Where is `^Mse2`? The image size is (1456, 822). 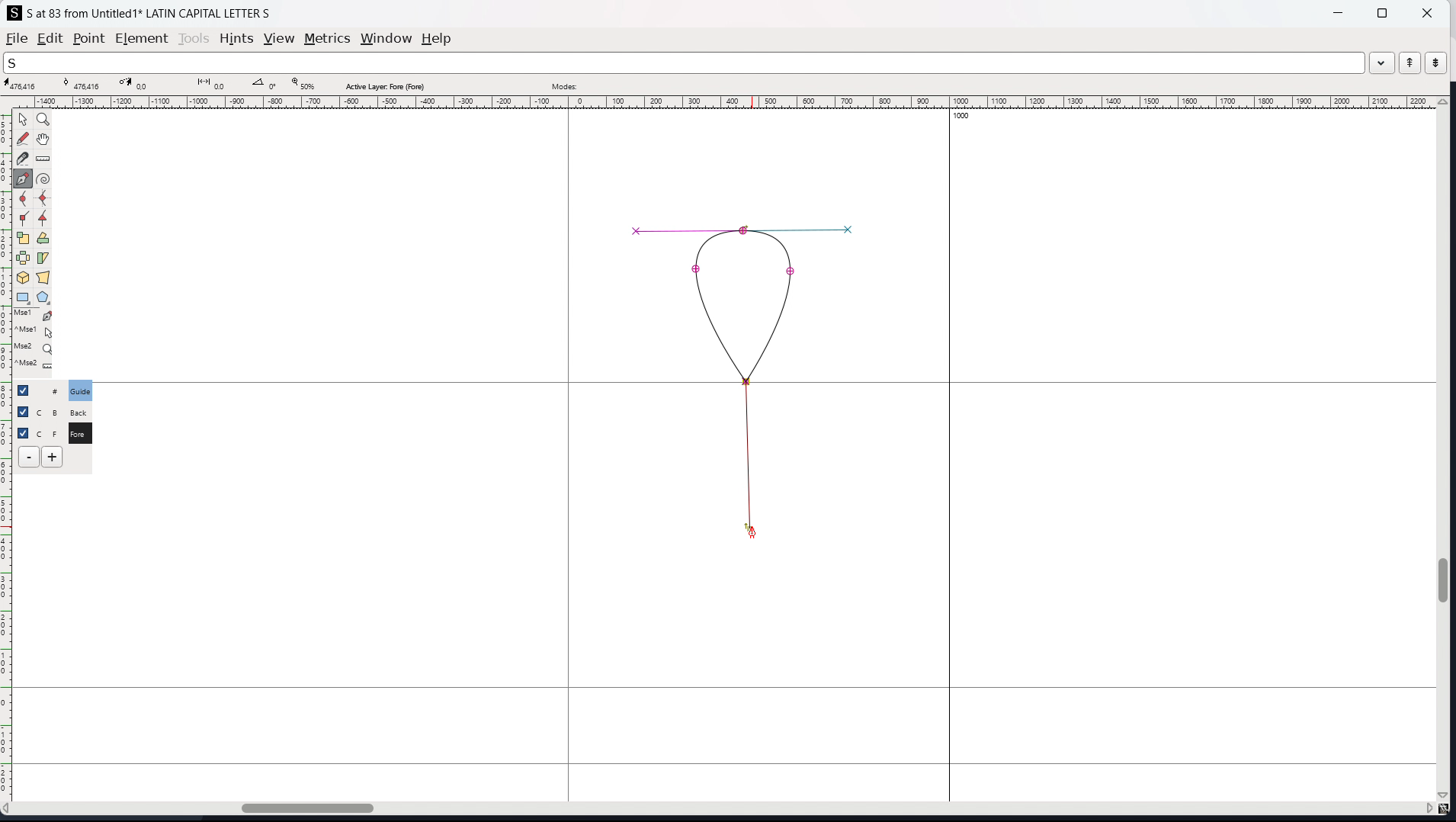
^Mse2 is located at coordinates (35, 366).